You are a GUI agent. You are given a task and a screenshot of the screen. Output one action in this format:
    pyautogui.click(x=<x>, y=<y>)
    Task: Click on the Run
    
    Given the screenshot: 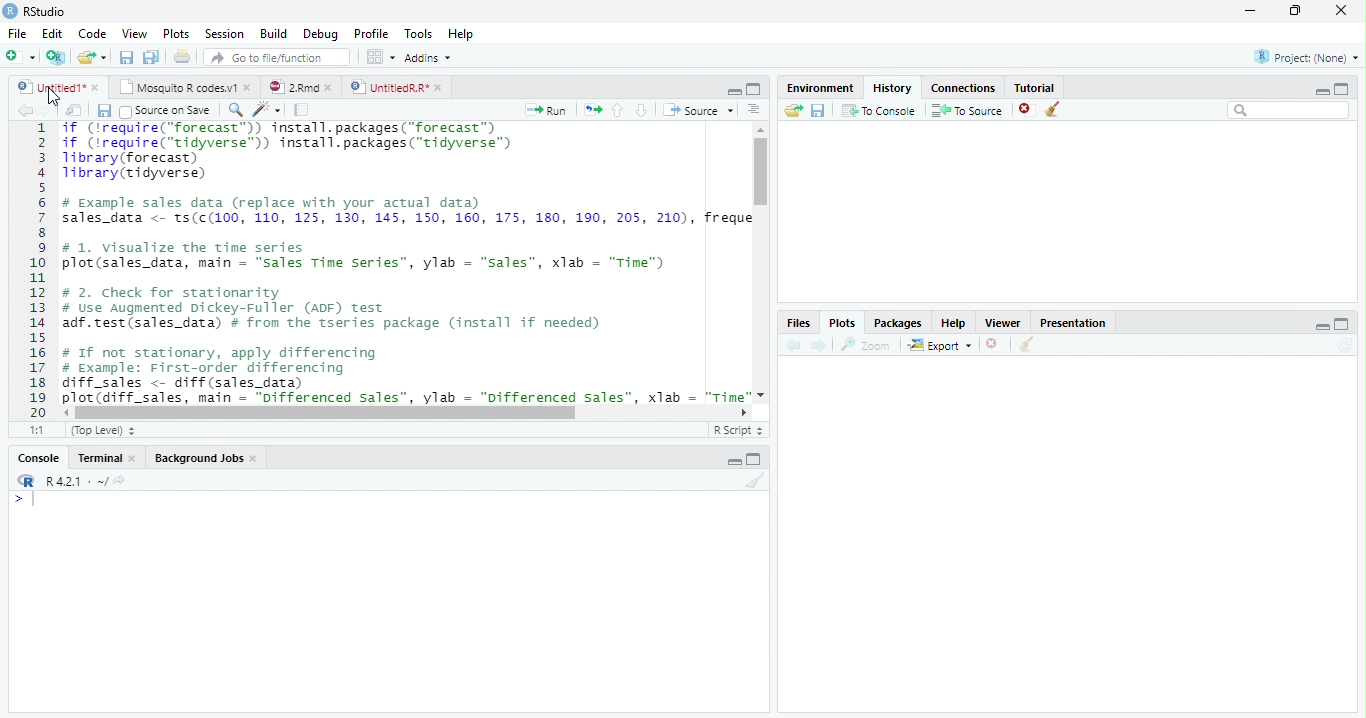 What is the action you would take?
    pyautogui.click(x=542, y=111)
    